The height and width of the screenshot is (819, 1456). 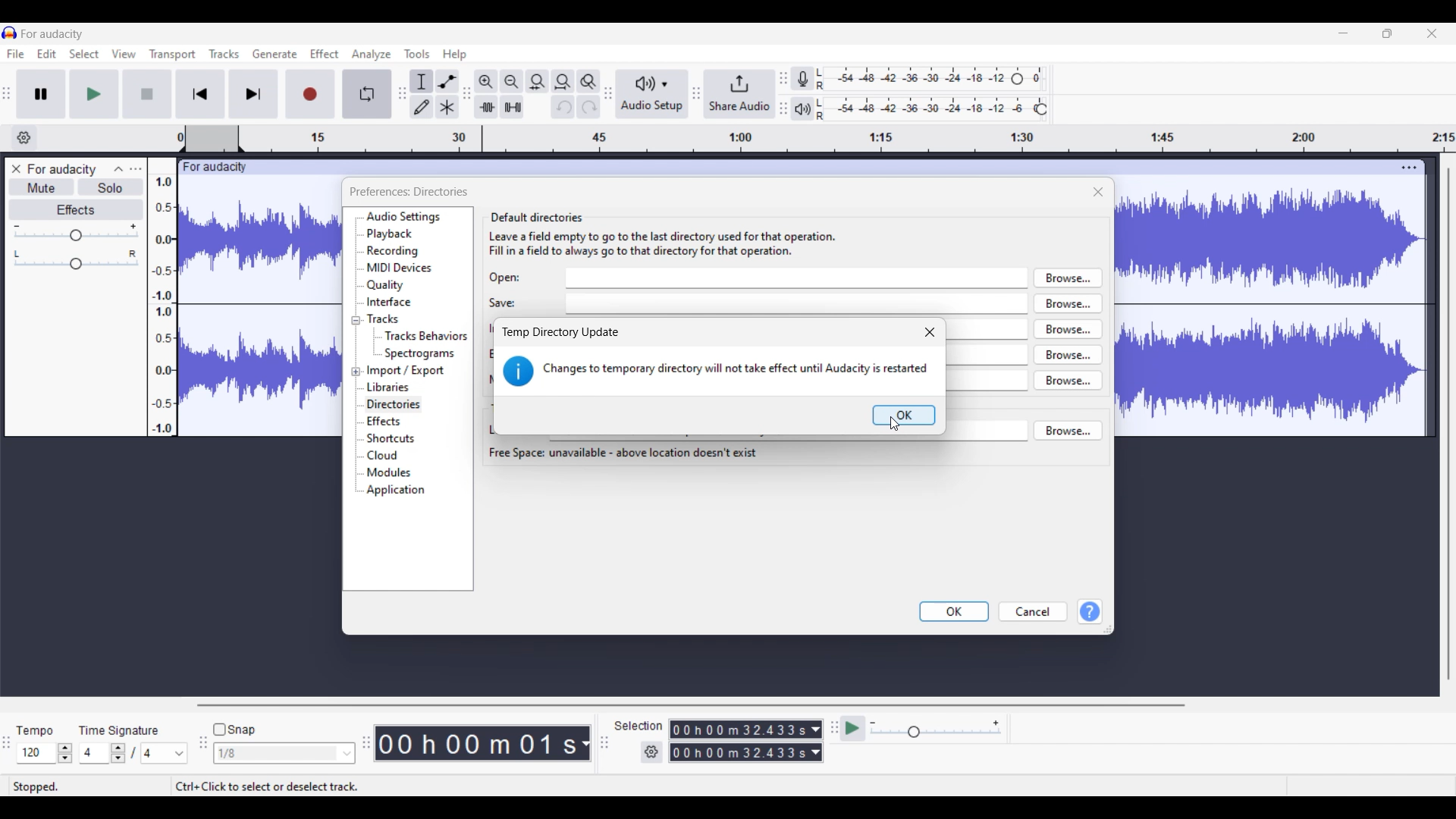 I want to click on Snap options, so click(x=284, y=753).